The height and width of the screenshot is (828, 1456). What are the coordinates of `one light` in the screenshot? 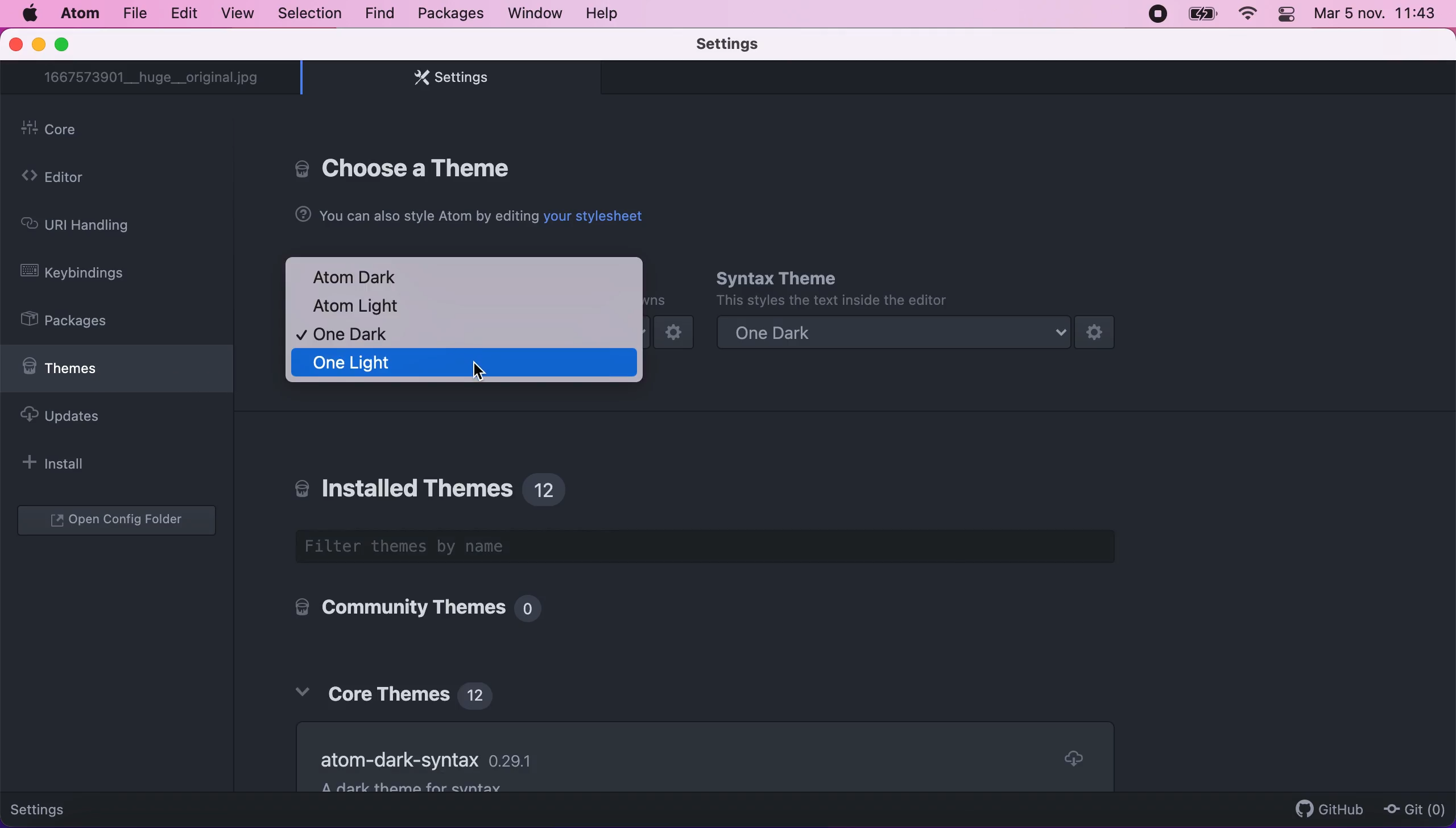 It's located at (464, 364).